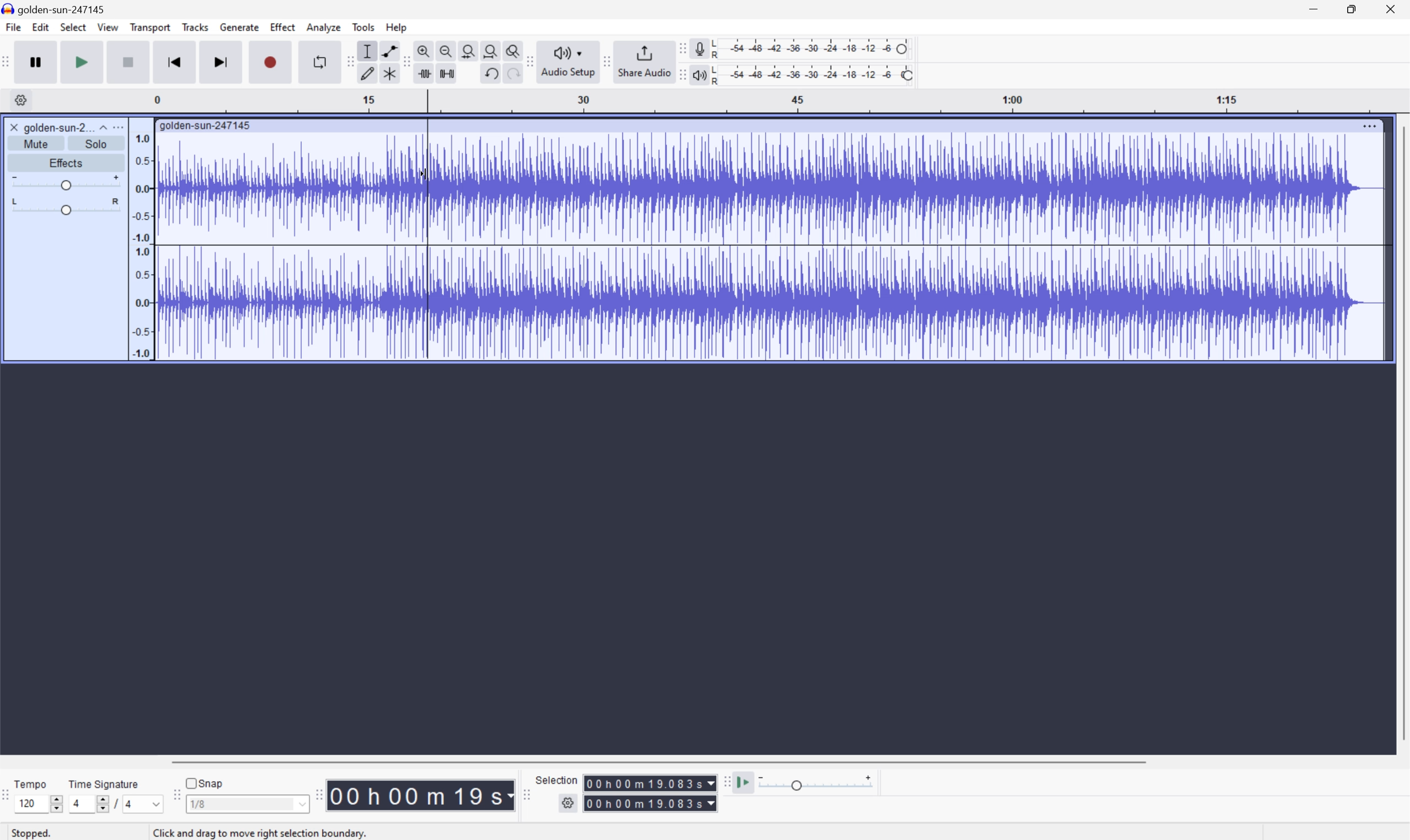  I want to click on Close, so click(1394, 8).